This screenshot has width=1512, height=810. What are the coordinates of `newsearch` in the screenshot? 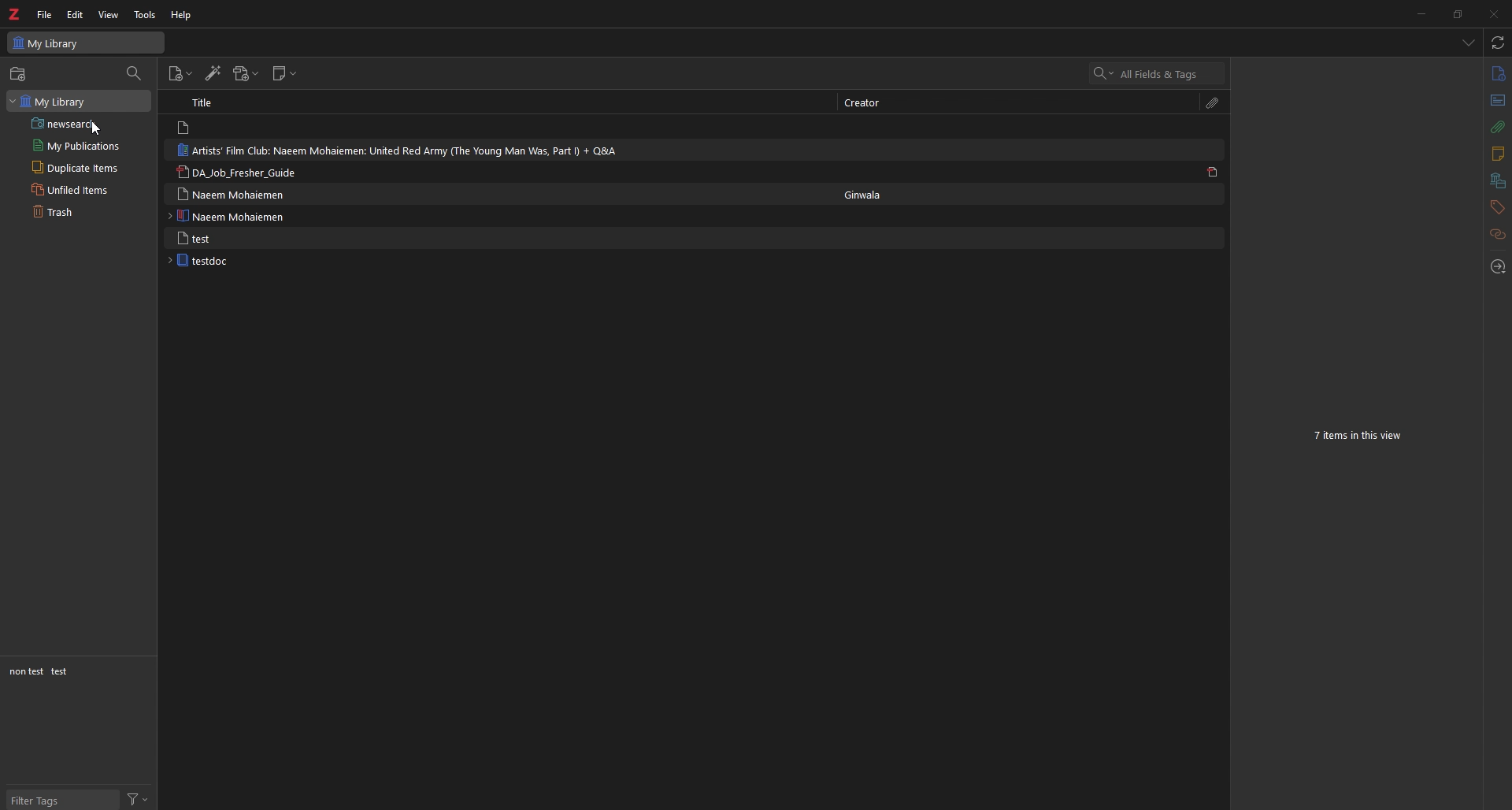 It's located at (61, 124).